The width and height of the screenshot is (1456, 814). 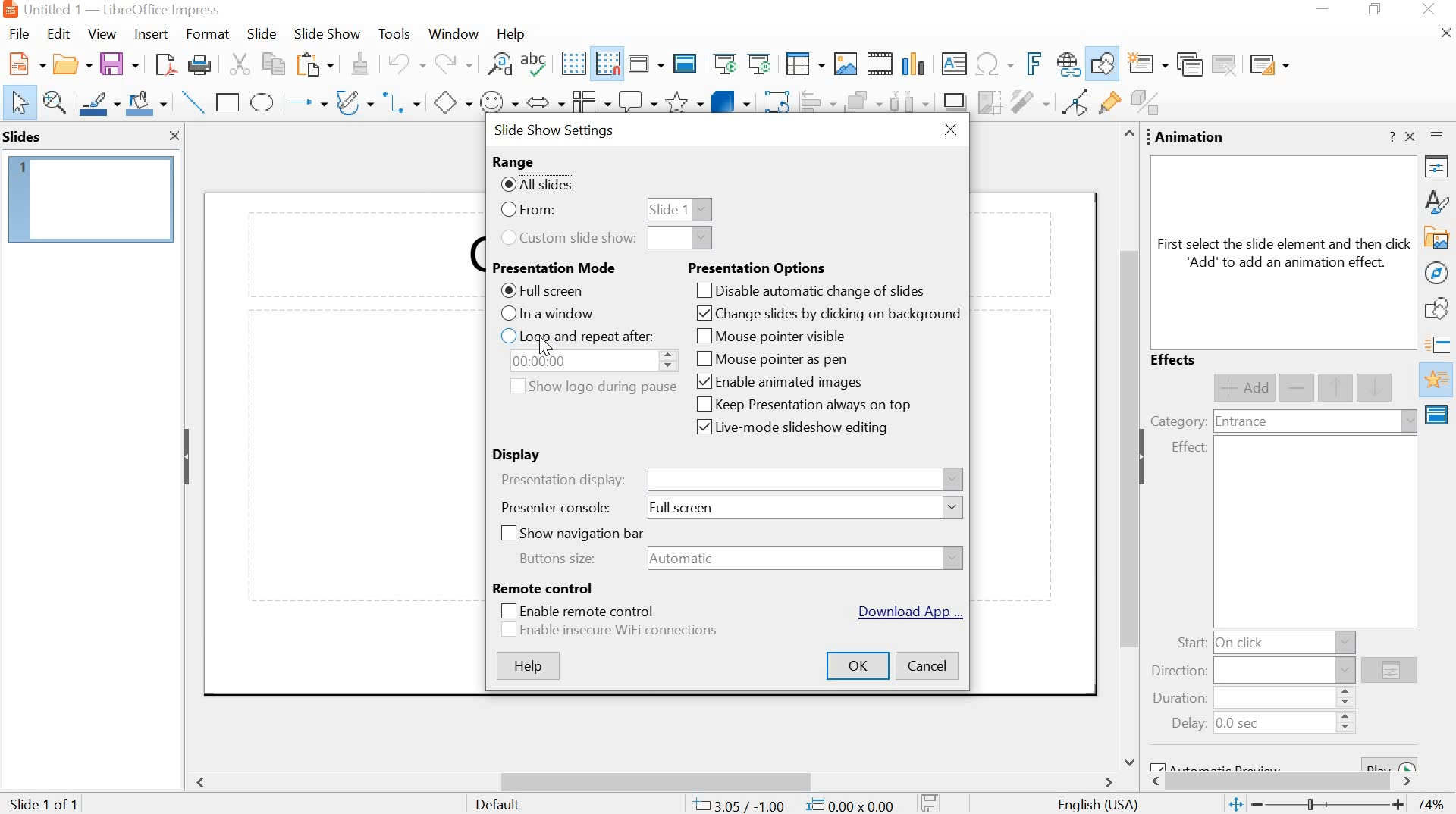 What do you see at coordinates (680, 239) in the screenshot?
I see `dropdown` at bounding box center [680, 239].